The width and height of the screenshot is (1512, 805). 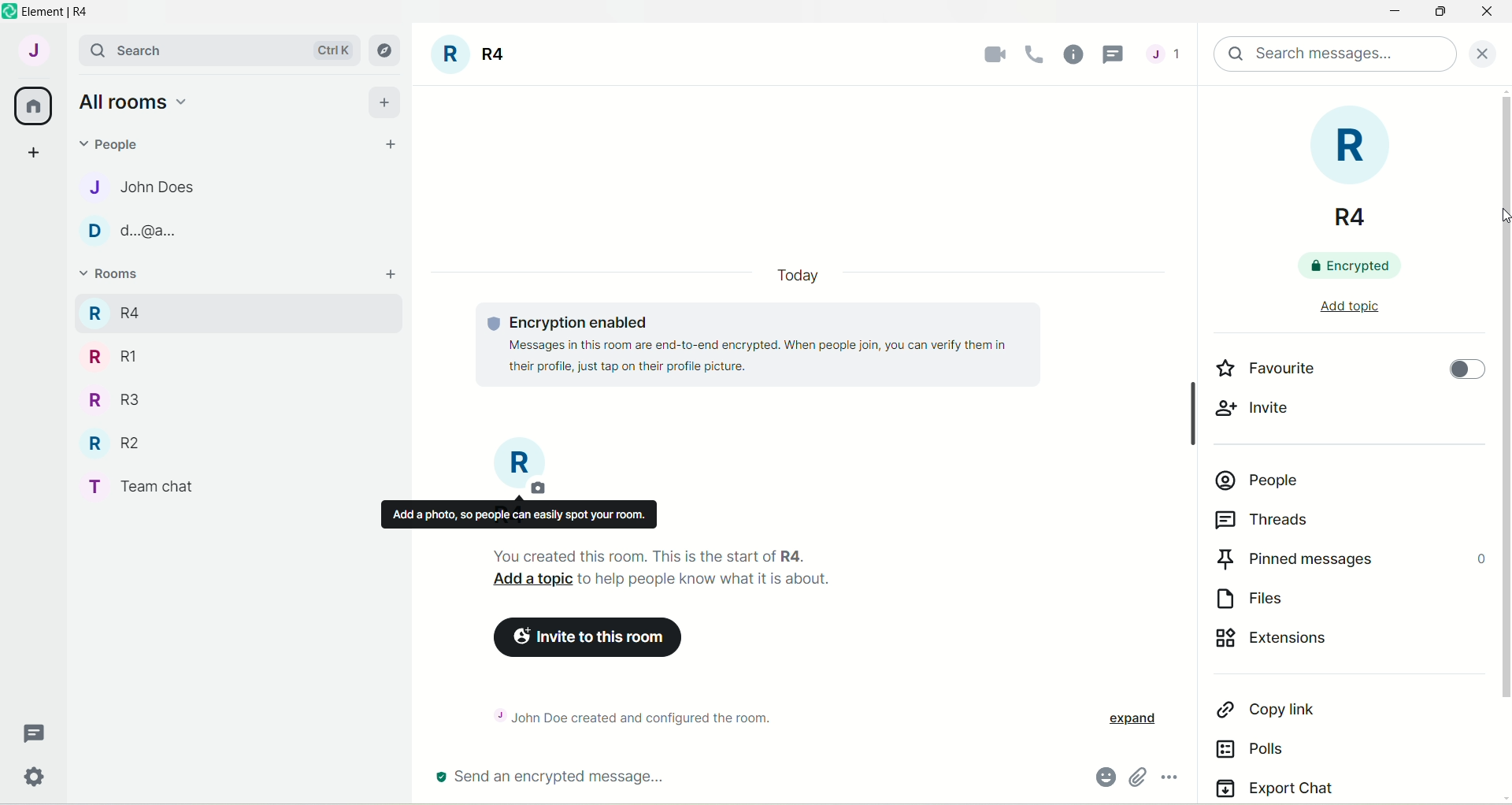 What do you see at coordinates (63, 11) in the screenshot?
I see `element` at bounding box center [63, 11].